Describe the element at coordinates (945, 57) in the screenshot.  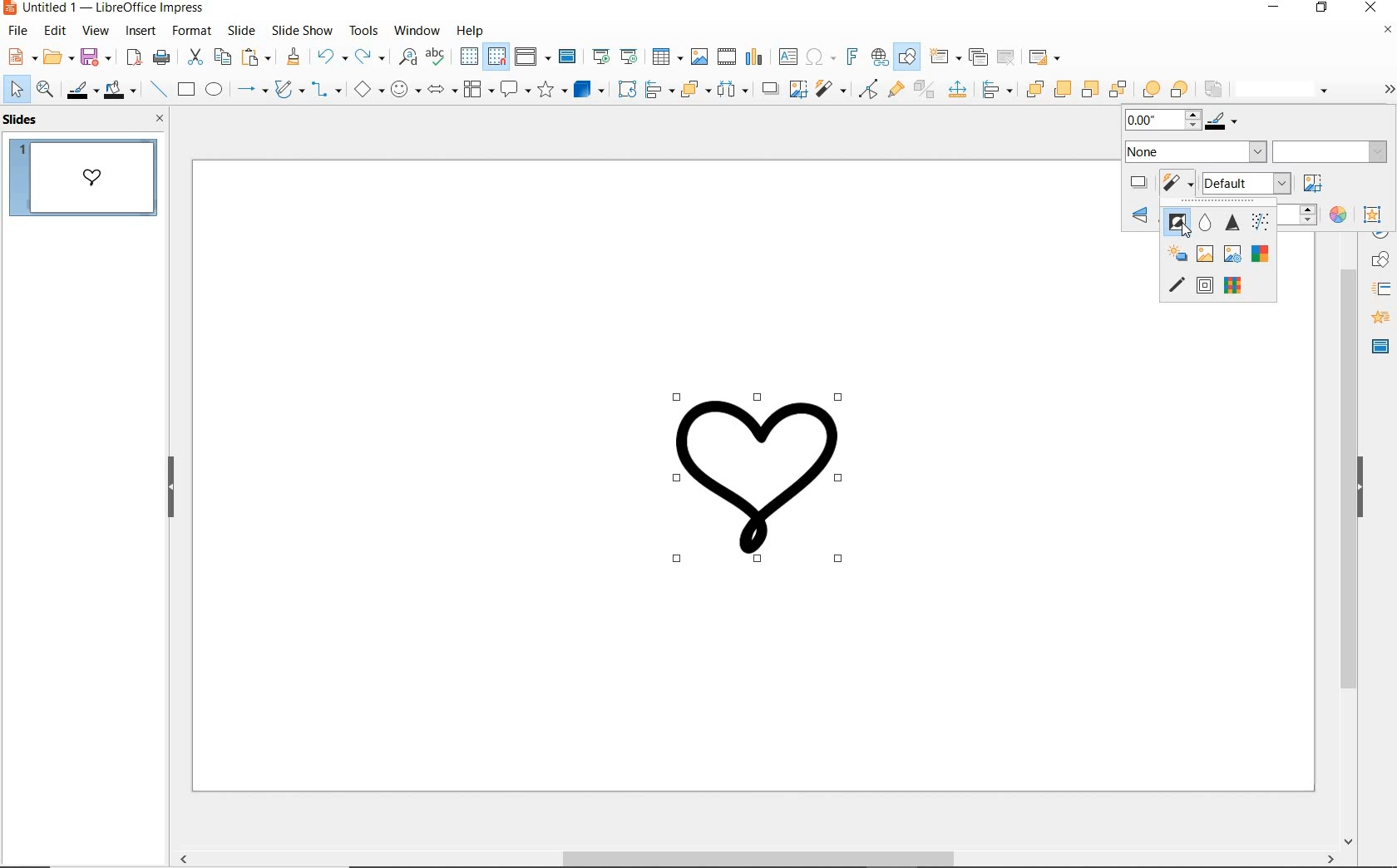
I see `new slide` at that location.